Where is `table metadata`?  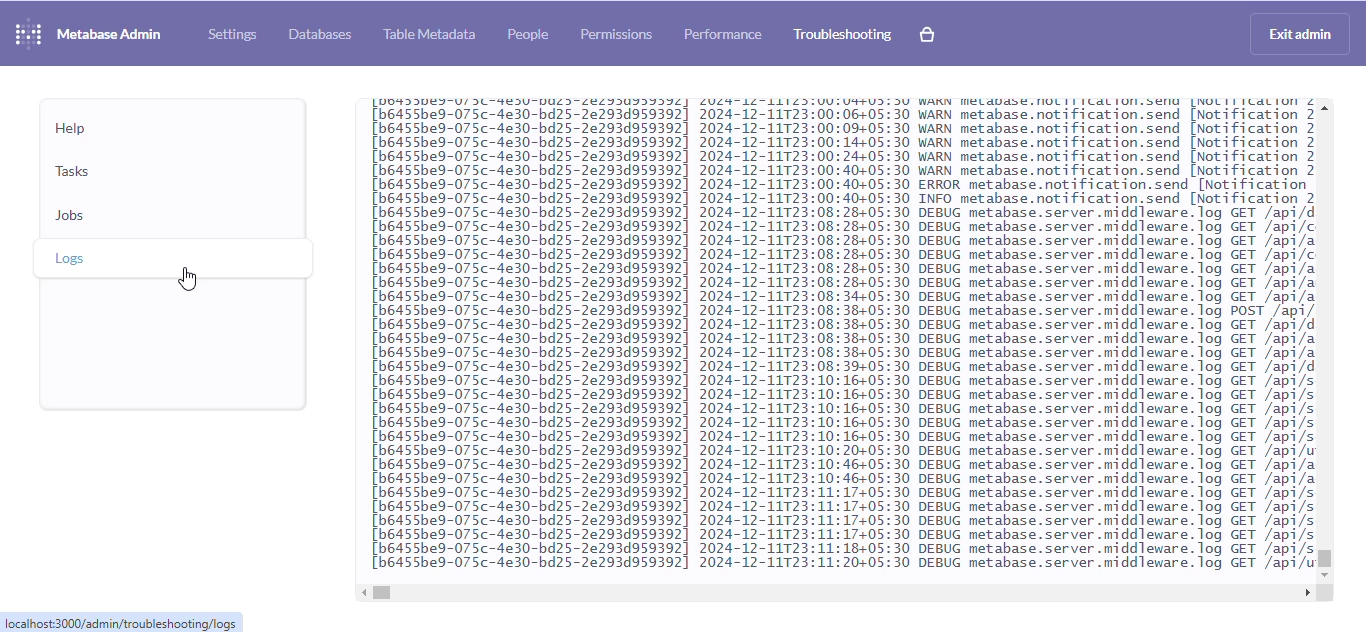
table metadata is located at coordinates (429, 33).